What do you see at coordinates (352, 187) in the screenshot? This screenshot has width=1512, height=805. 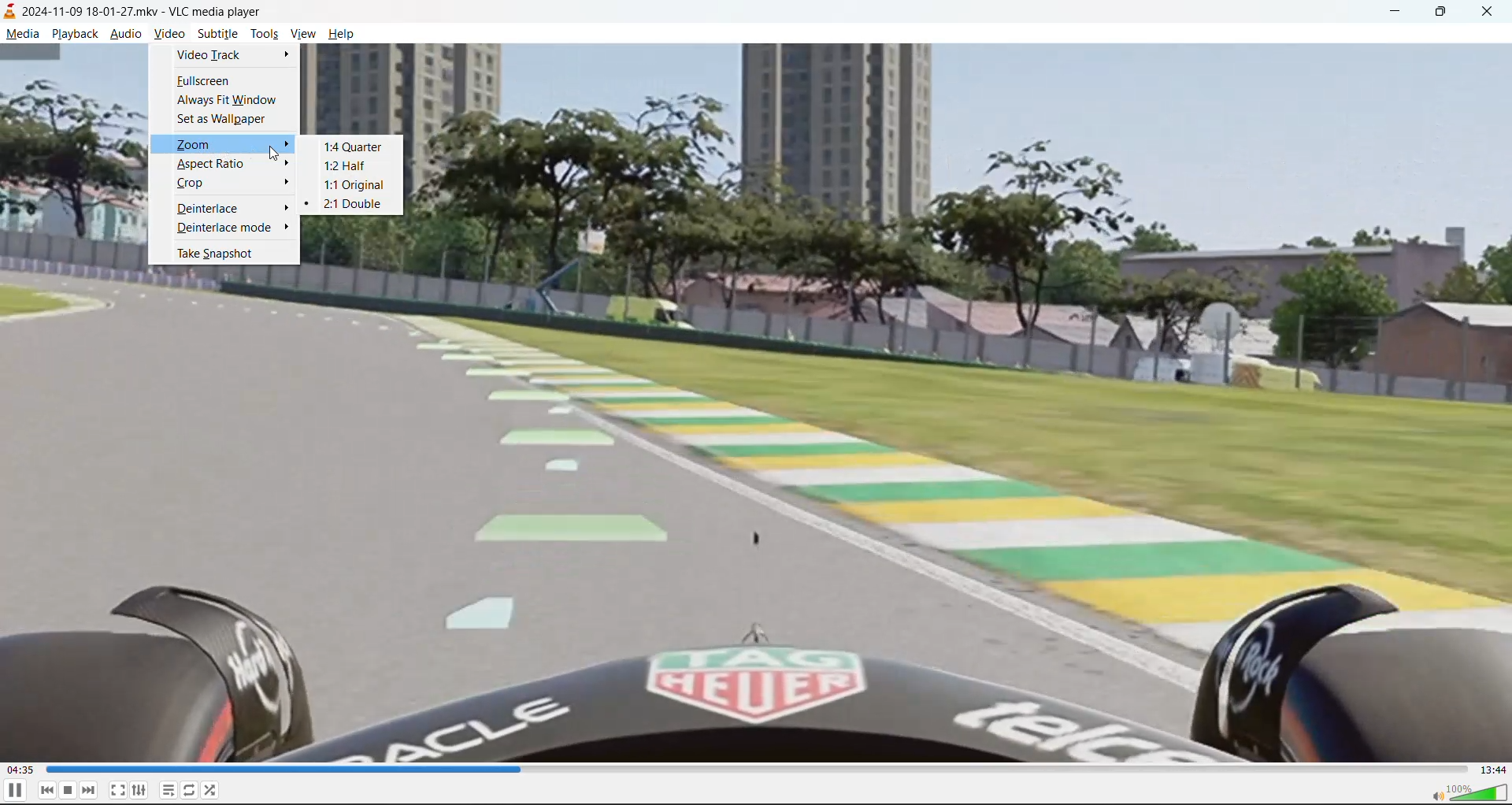 I see `1:1 original` at bounding box center [352, 187].